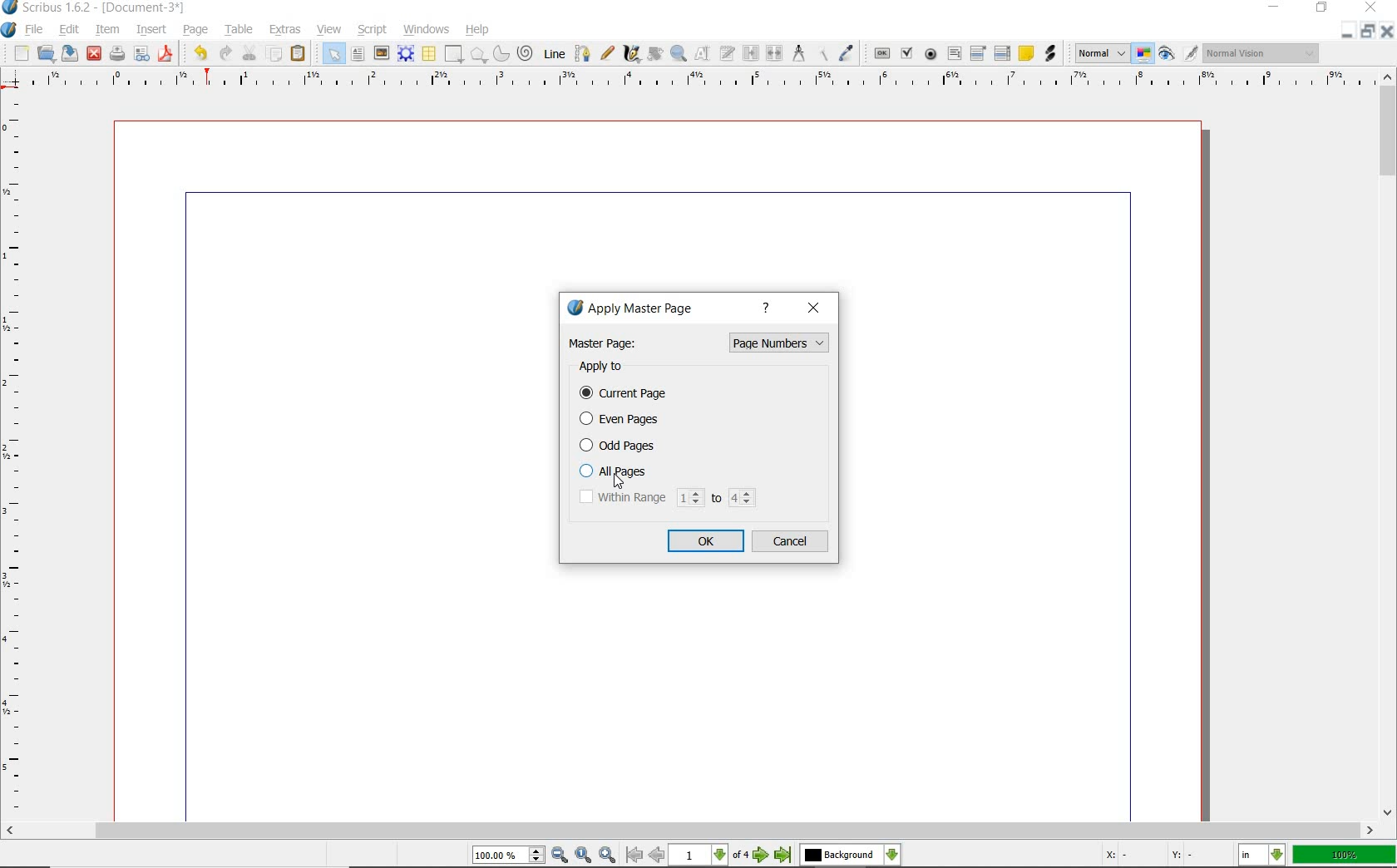  I want to click on Zoom In, so click(607, 856).